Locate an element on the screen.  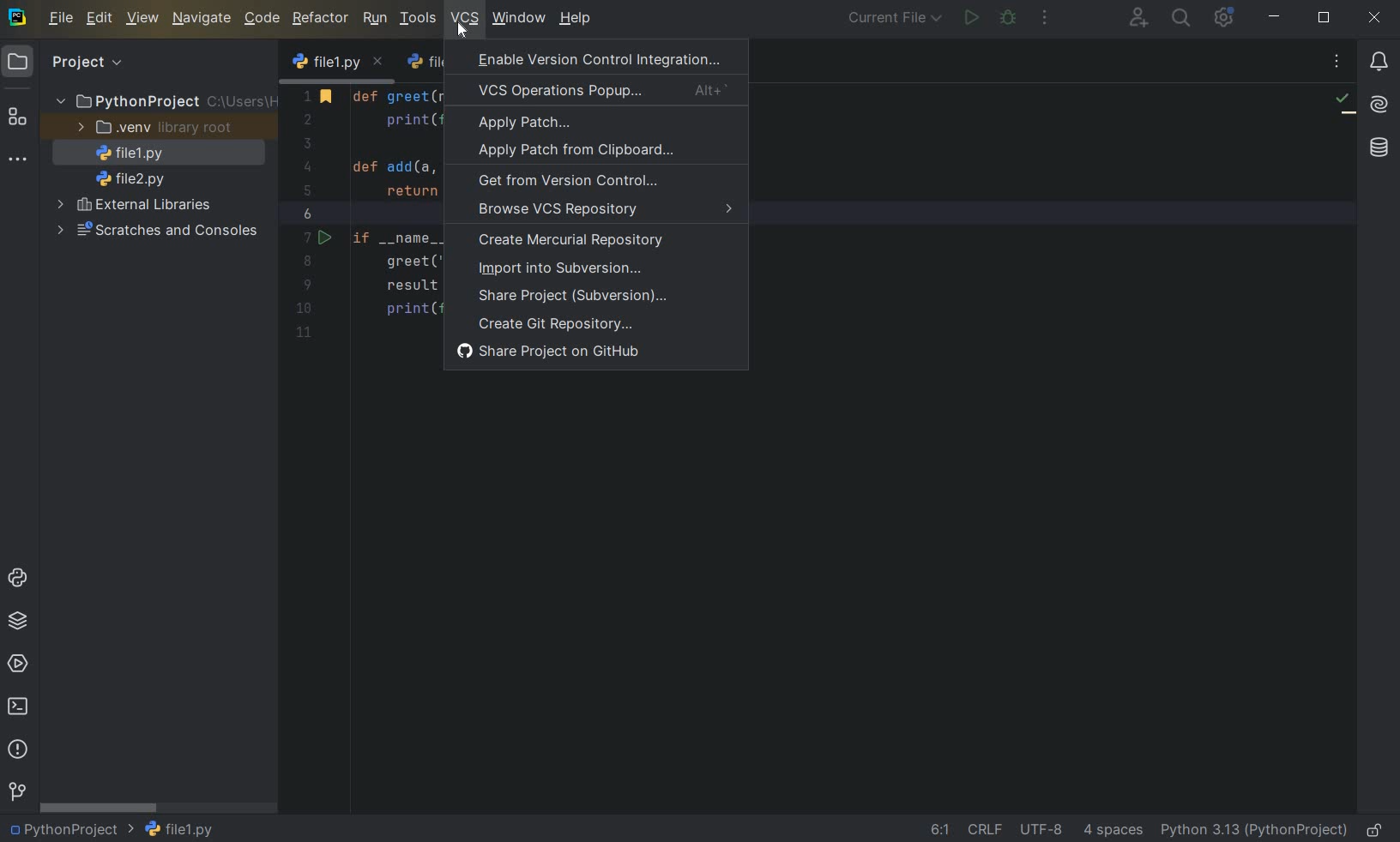
run is located at coordinates (972, 19).